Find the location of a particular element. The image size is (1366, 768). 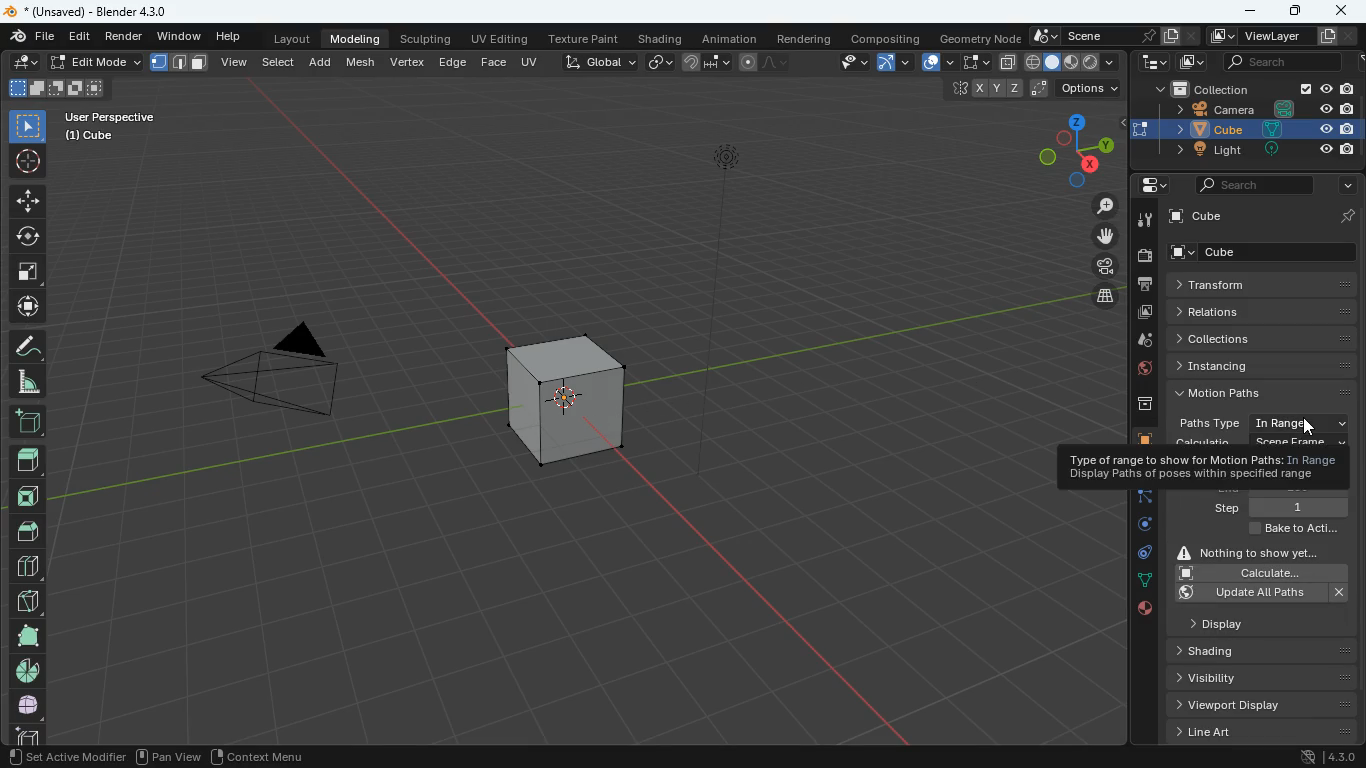

add is located at coordinates (323, 60).